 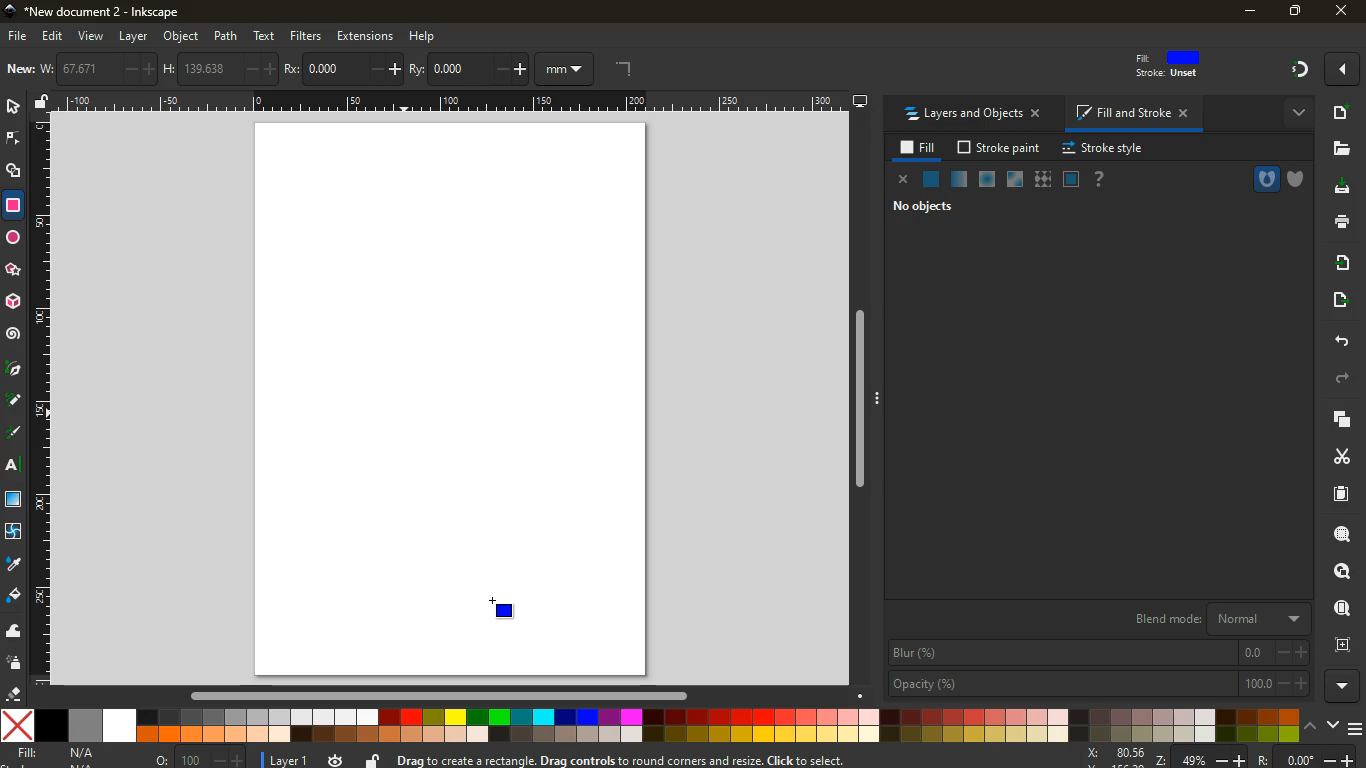 I want to click on , so click(x=857, y=399).